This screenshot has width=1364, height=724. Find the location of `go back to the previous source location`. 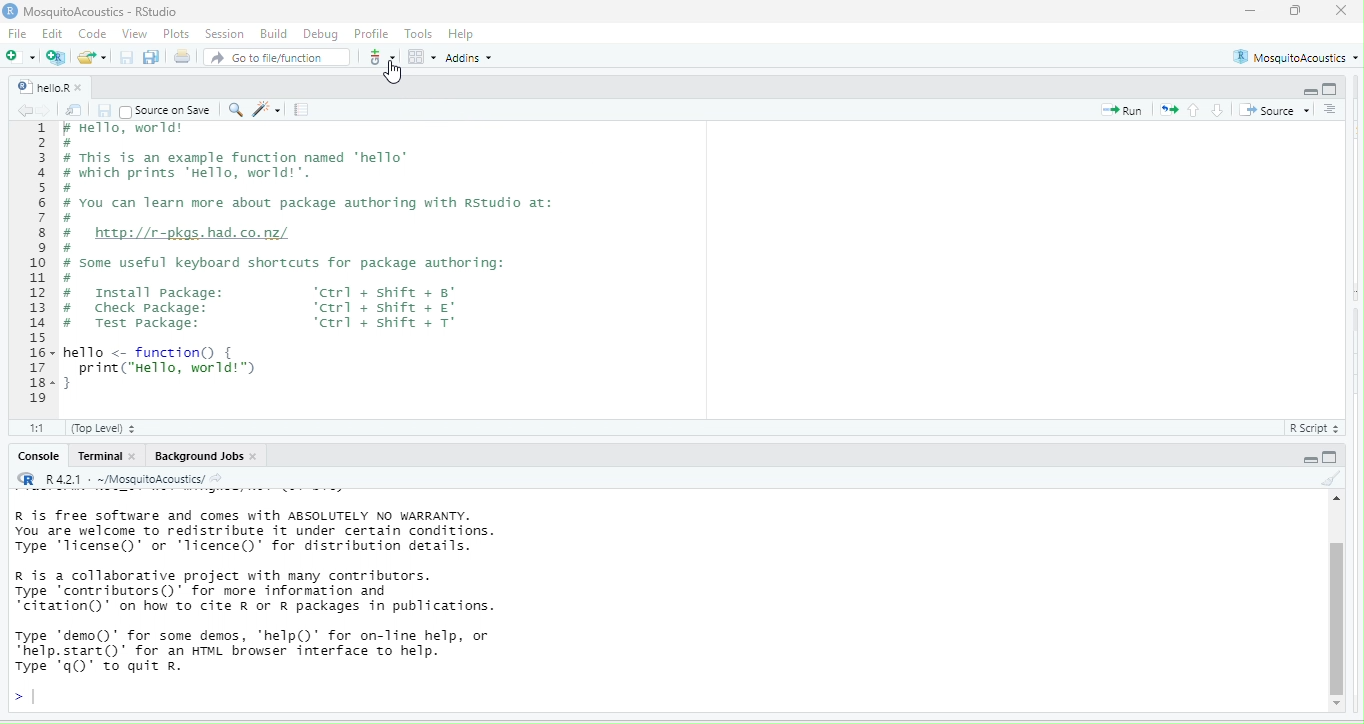

go back to the previous source location is located at coordinates (26, 110).